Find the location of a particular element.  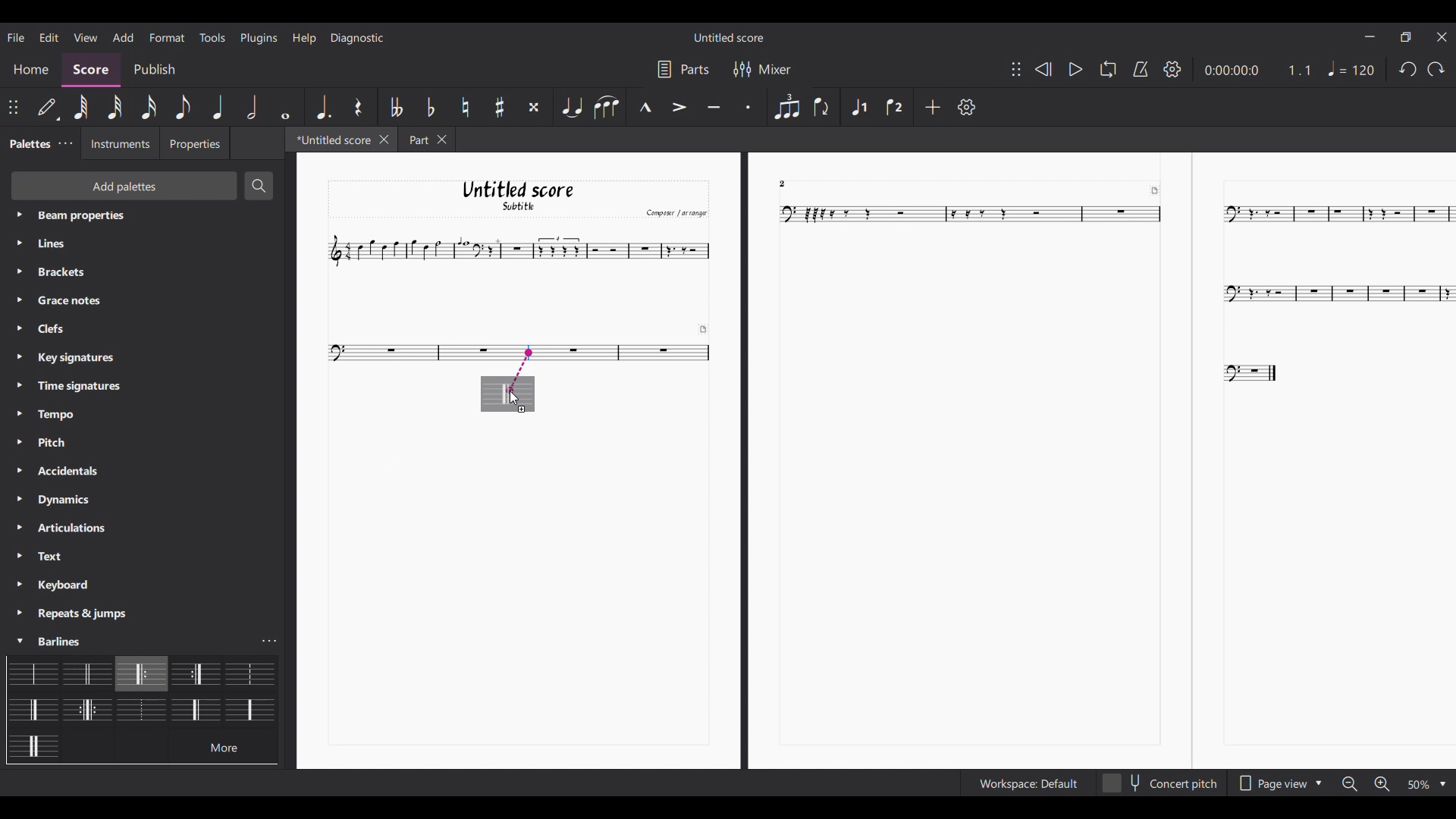

Add is located at coordinates (933, 107).